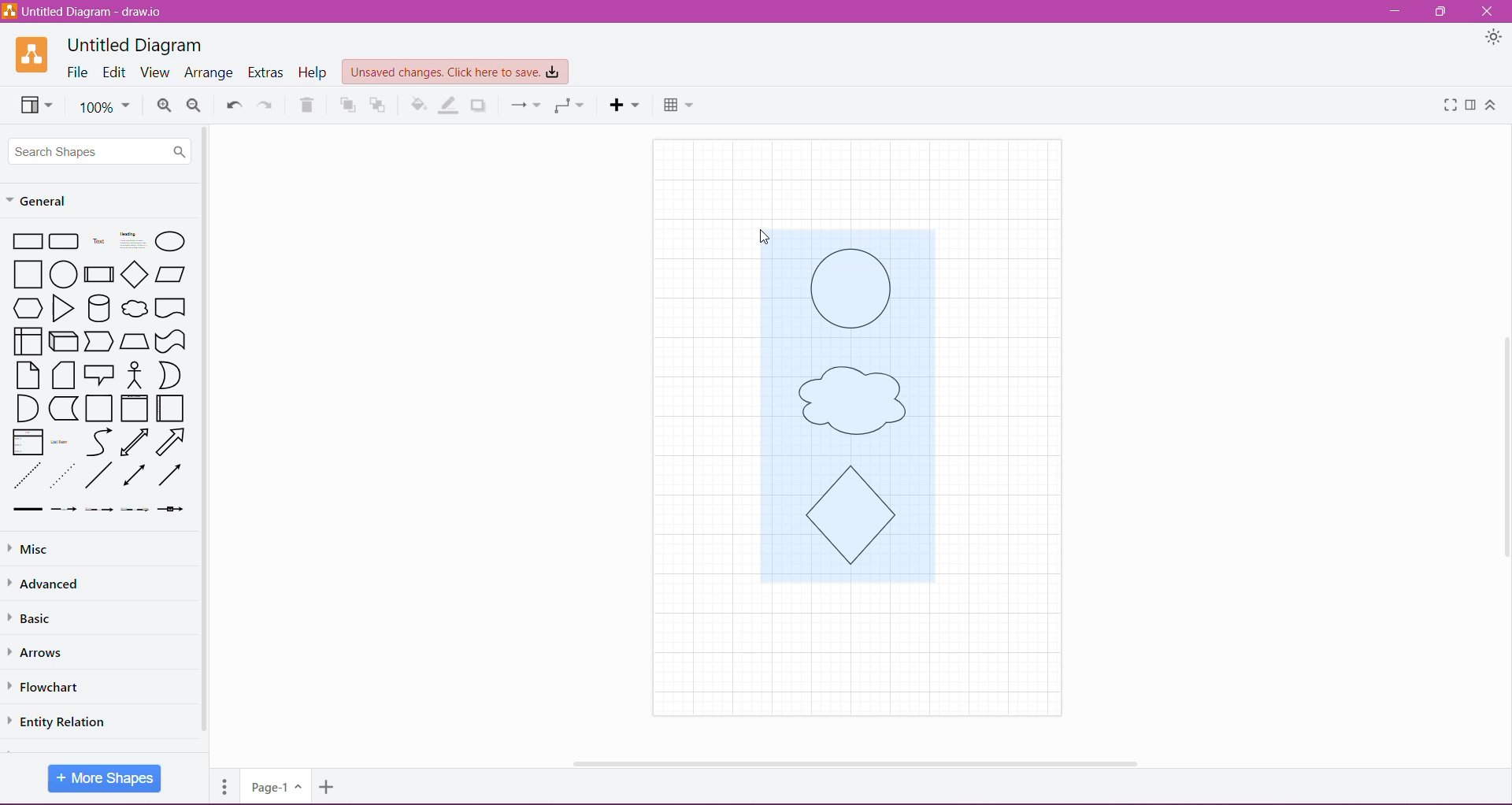 Image resolution: width=1512 pixels, height=805 pixels. I want to click on Pages, so click(222, 784).